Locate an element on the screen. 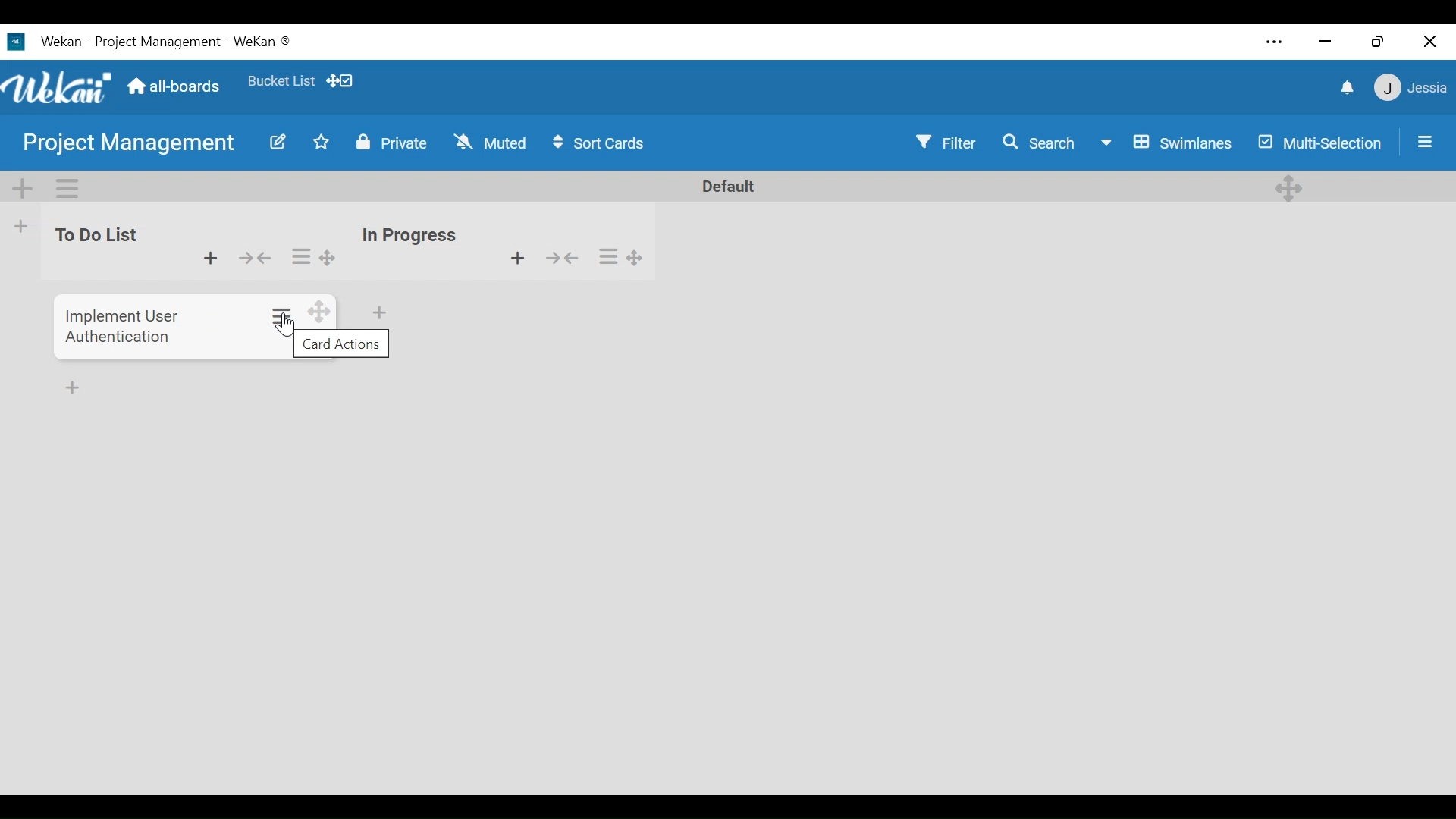 Image resolution: width=1456 pixels, height=819 pixels. \ Muted is located at coordinates (491, 143).